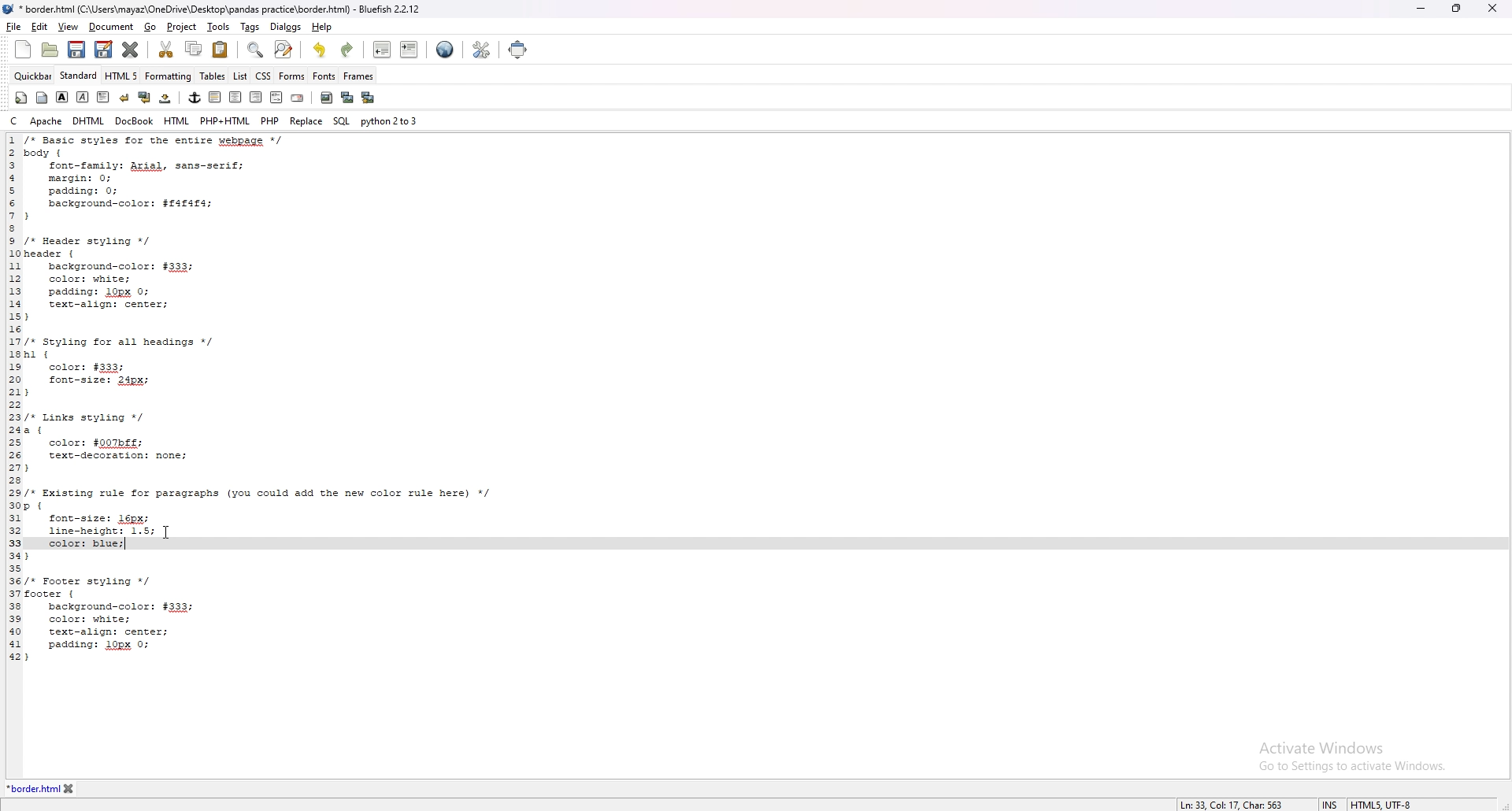 This screenshot has height=811, width=1512. What do you see at coordinates (22, 98) in the screenshot?
I see `quickstart` at bounding box center [22, 98].